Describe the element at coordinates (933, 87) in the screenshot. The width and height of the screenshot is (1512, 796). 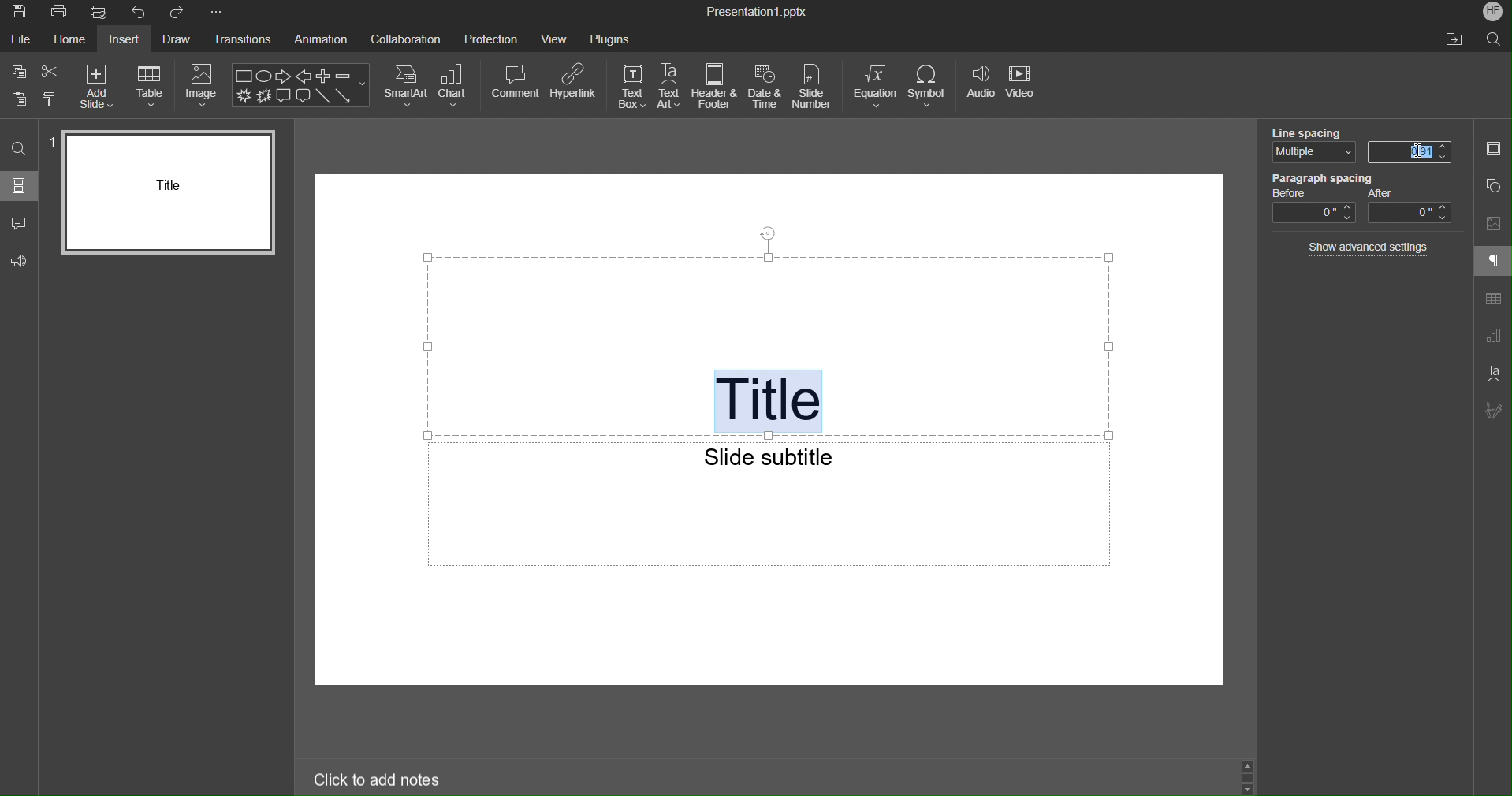
I see `Symbol` at that location.